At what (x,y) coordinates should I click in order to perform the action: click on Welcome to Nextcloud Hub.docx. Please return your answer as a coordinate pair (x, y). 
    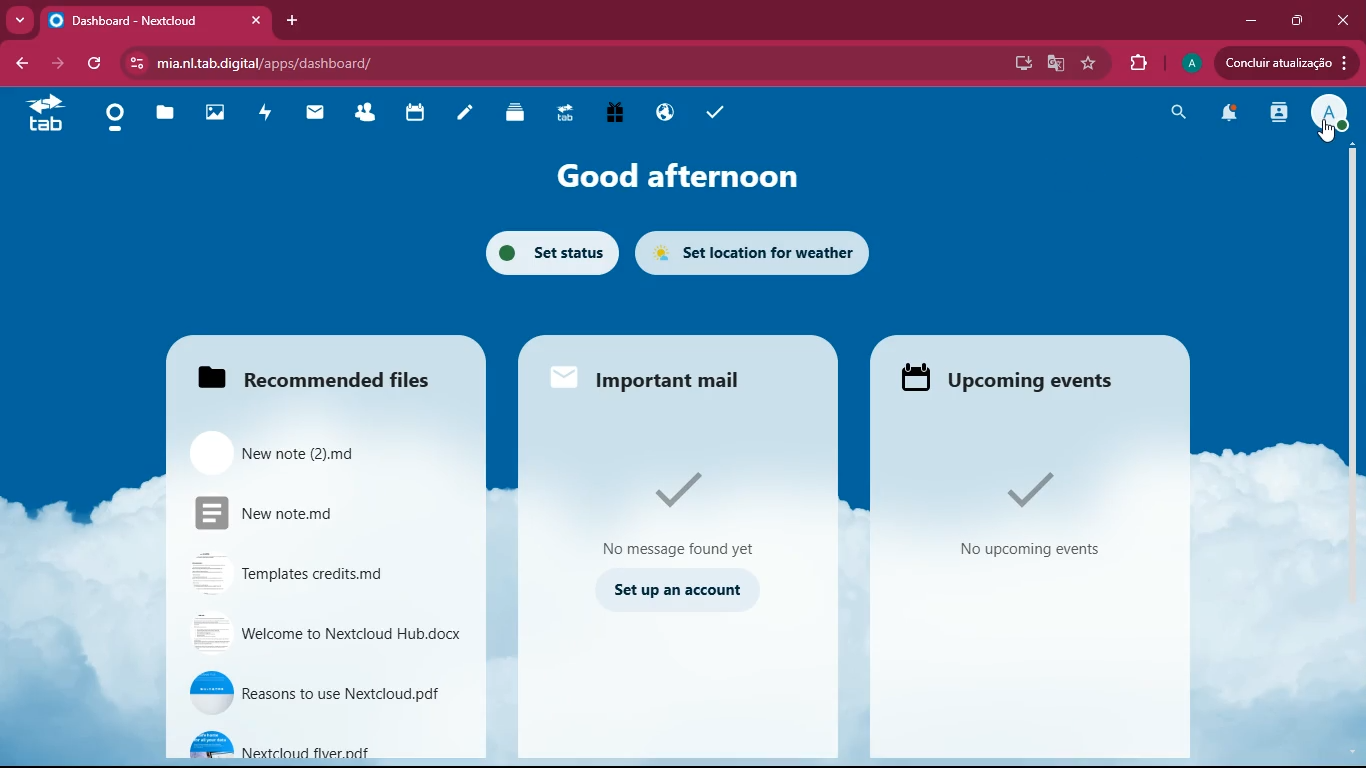
    Looking at the image, I should click on (312, 635).